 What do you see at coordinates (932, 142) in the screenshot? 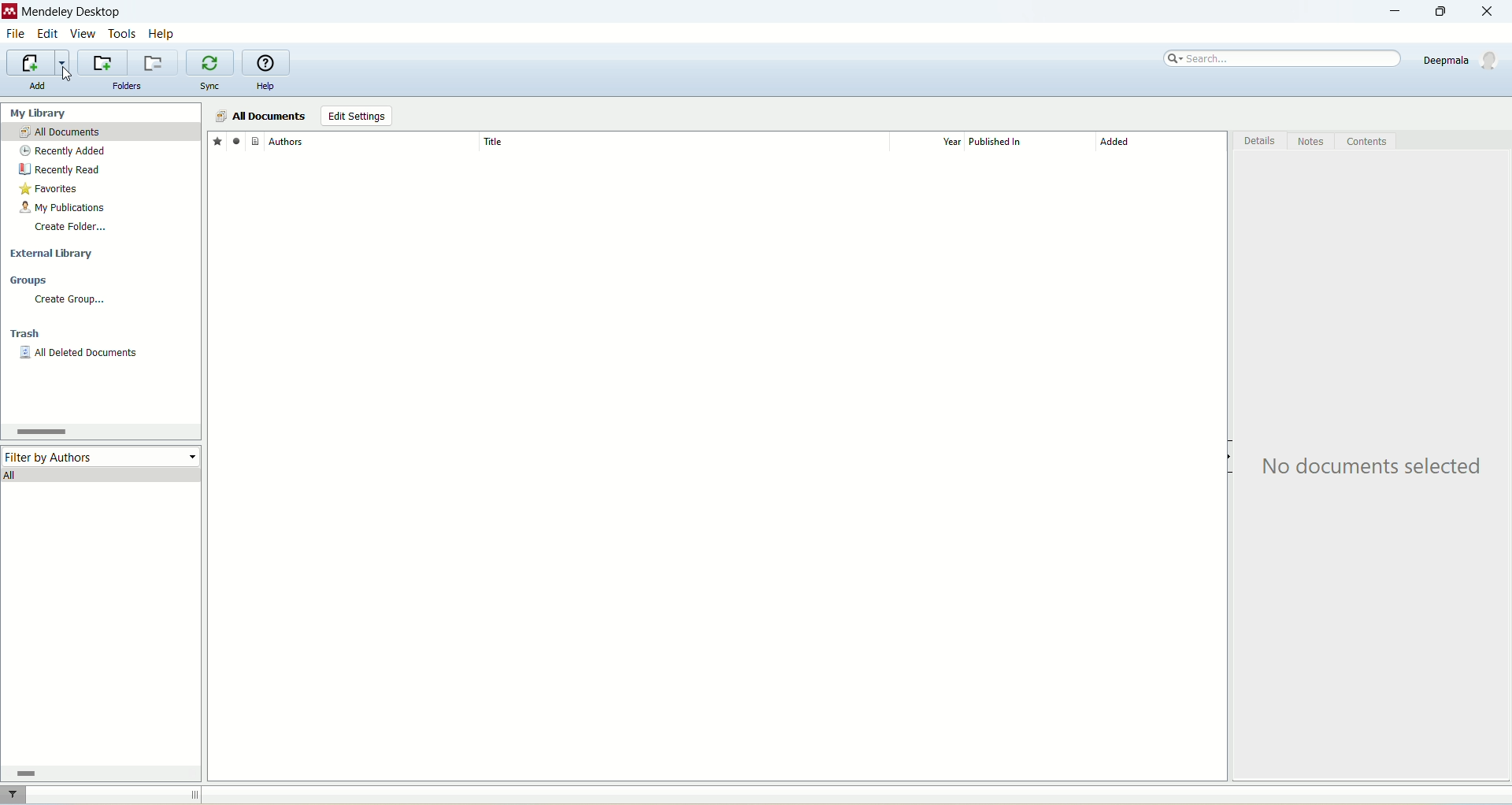
I see `year` at bounding box center [932, 142].